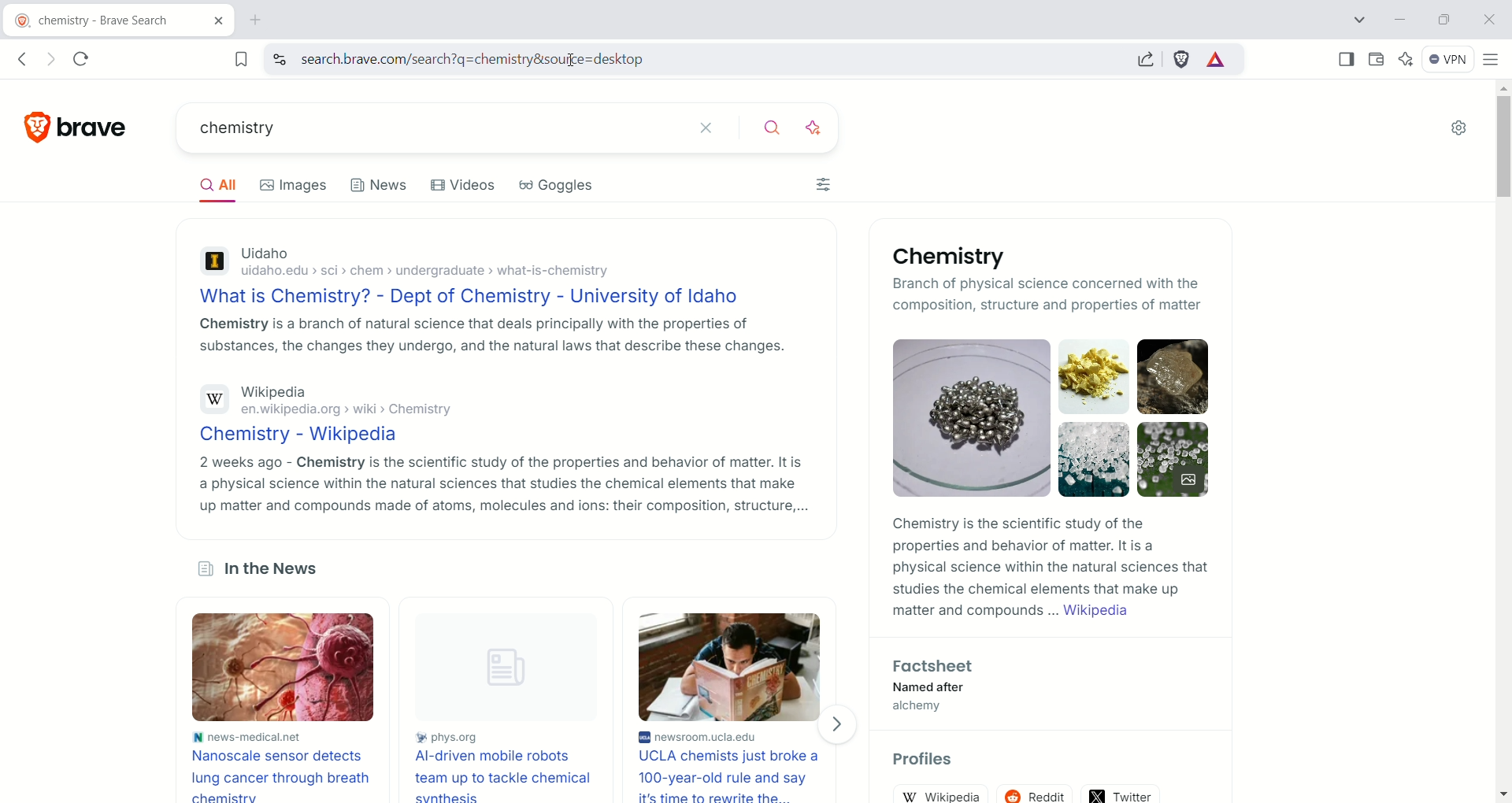 The height and width of the screenshot is (803, 1512). I want to click on brave logo, so click(77, 127).